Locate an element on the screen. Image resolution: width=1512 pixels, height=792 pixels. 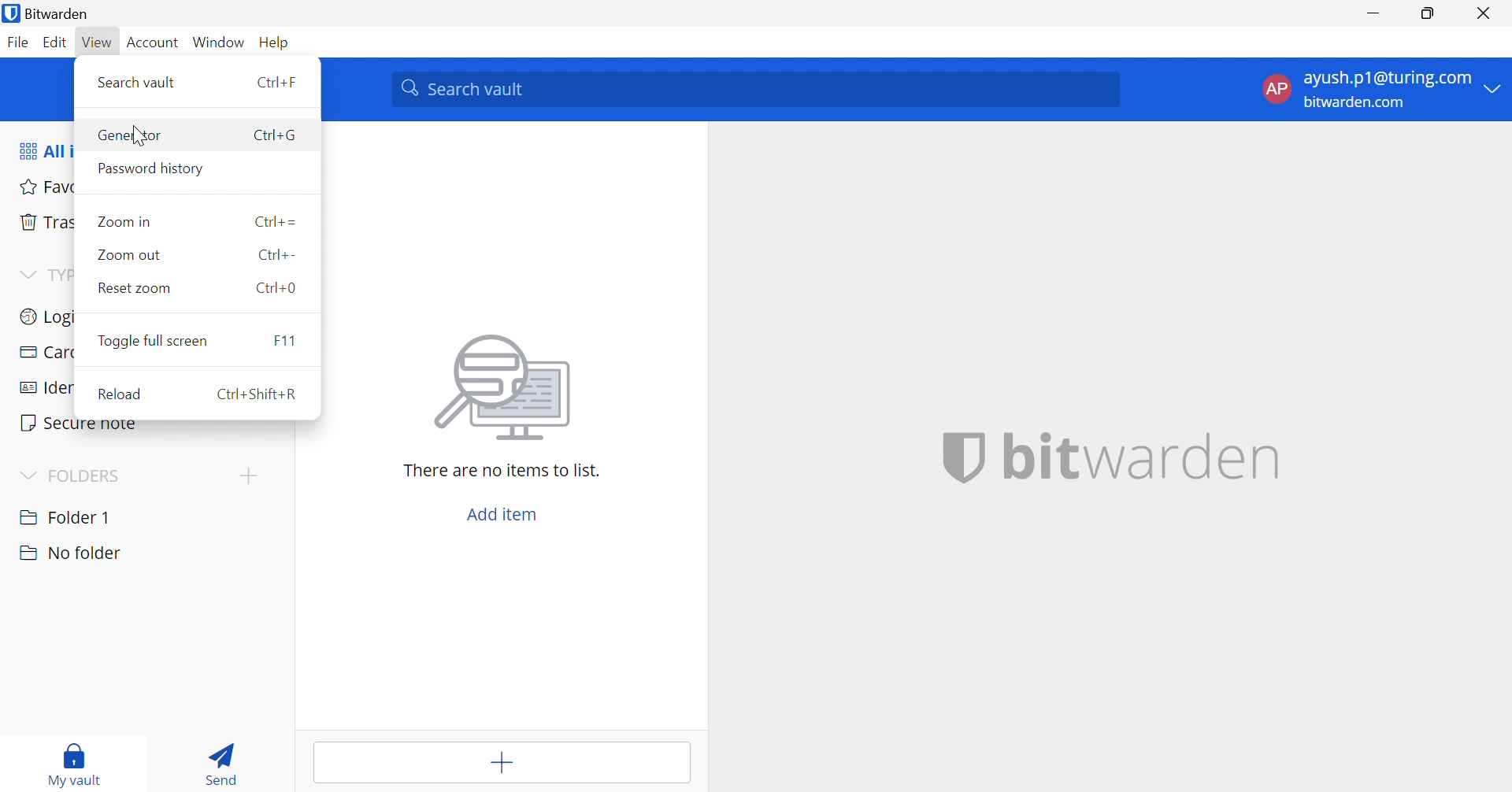
Password is located at coordinates (154, 168).